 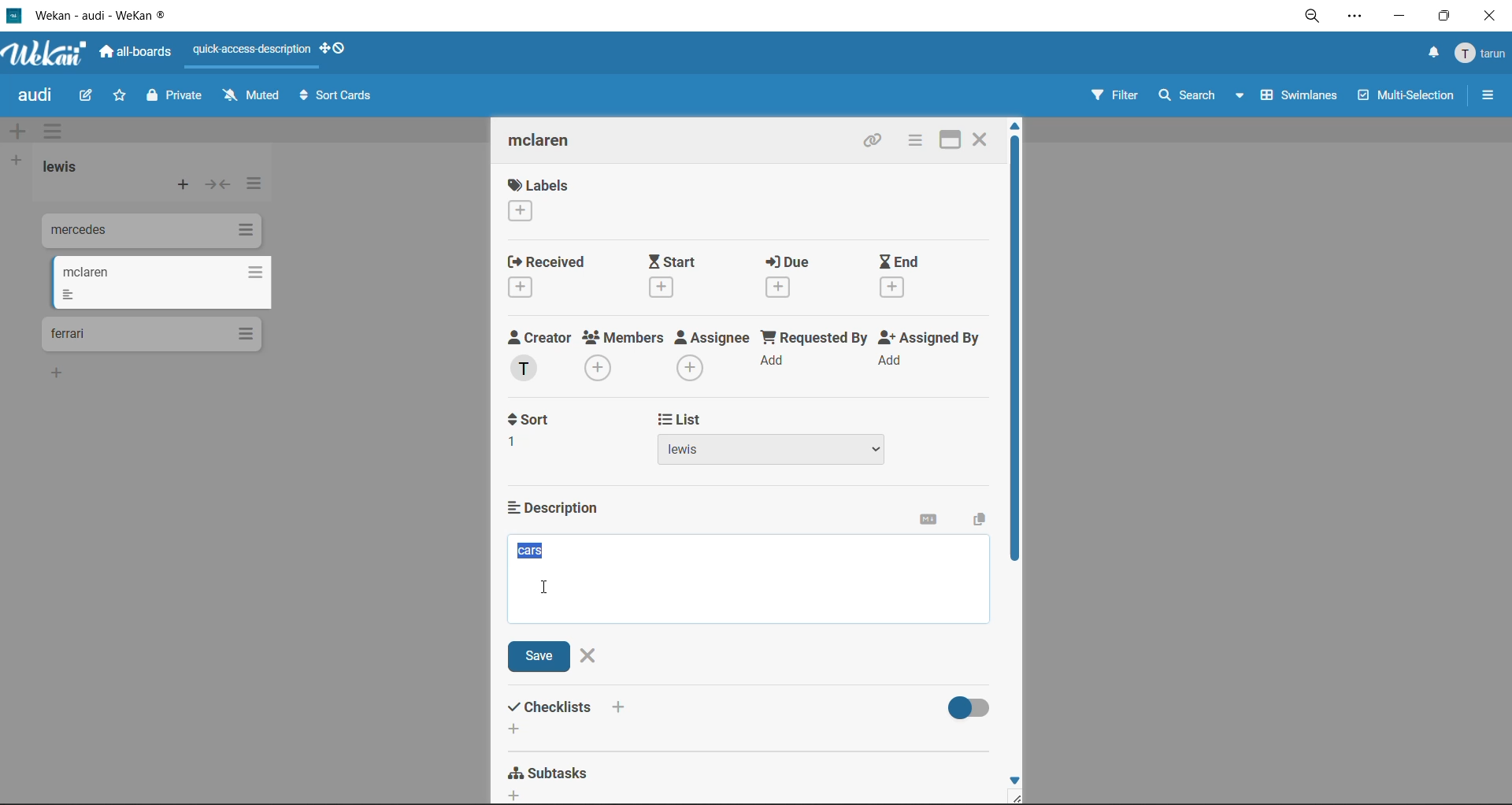 What do you see at coordinates (151, 335) in the screenshot?
I see `cards` at bounding box center [151, 335].